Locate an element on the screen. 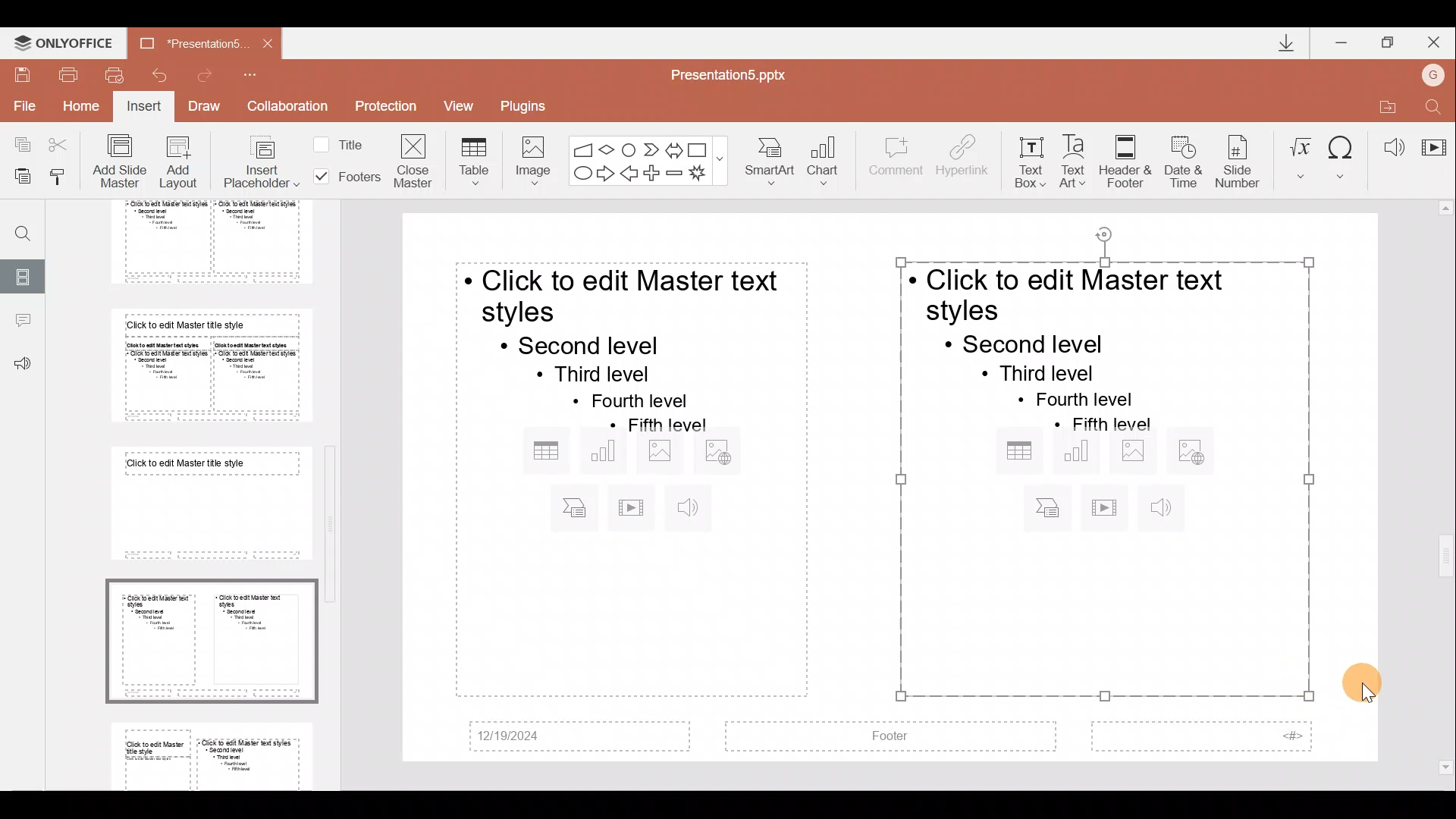  Quick print is located at coordinates (114, 76).